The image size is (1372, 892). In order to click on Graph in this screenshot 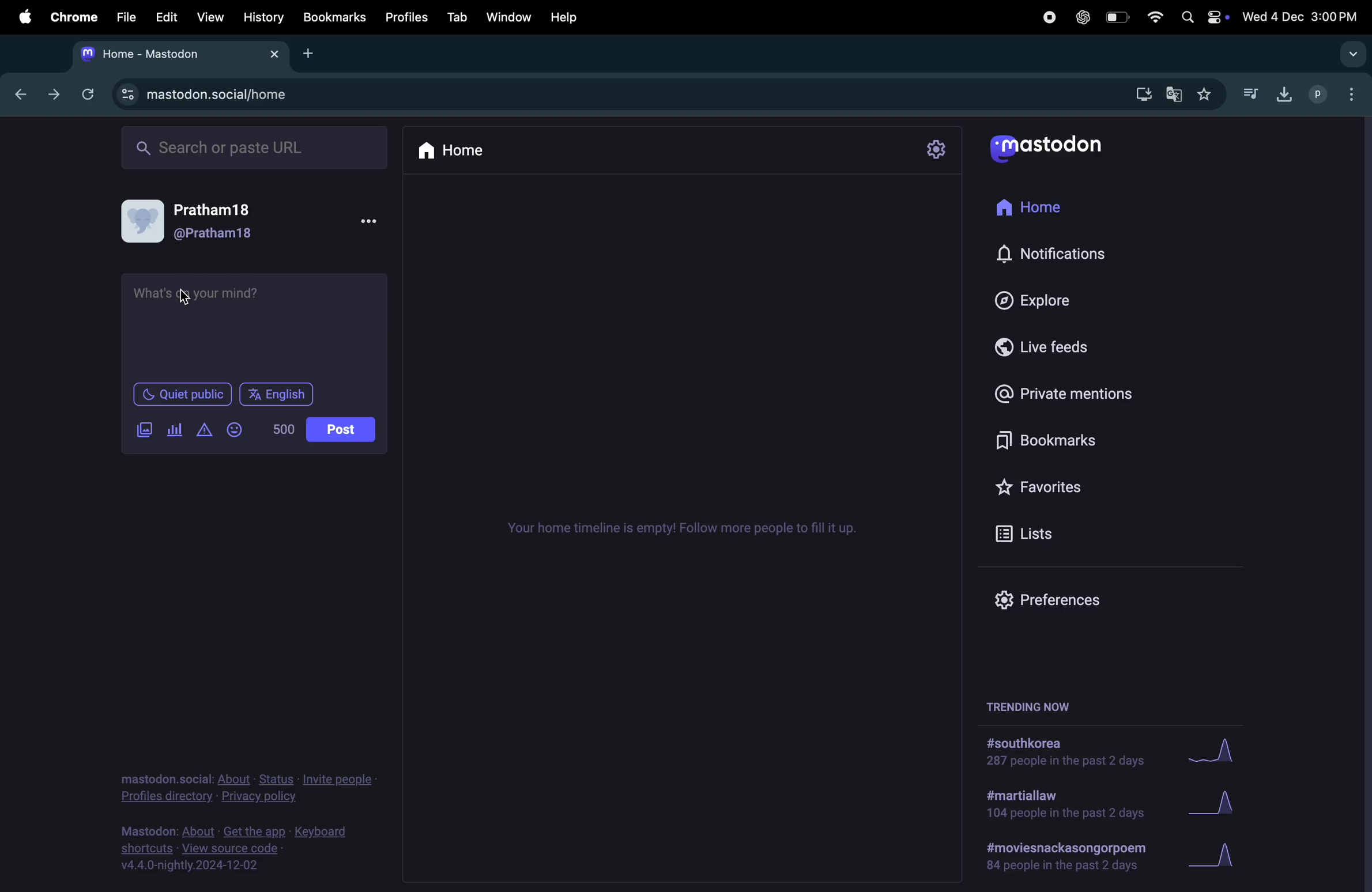, I will do `click(1234, 798)`.